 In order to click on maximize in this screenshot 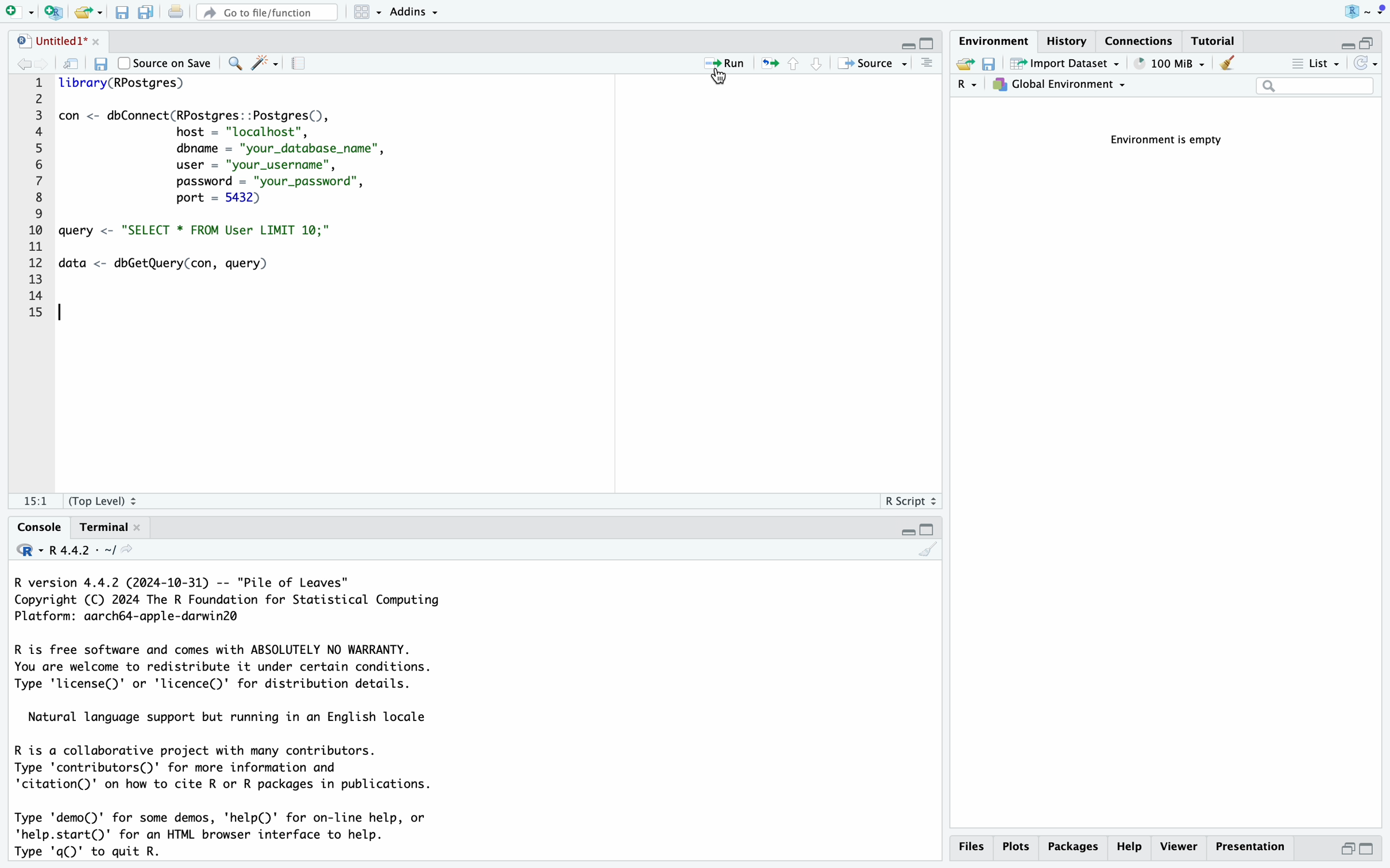, I will do `click(1374, 850)`.